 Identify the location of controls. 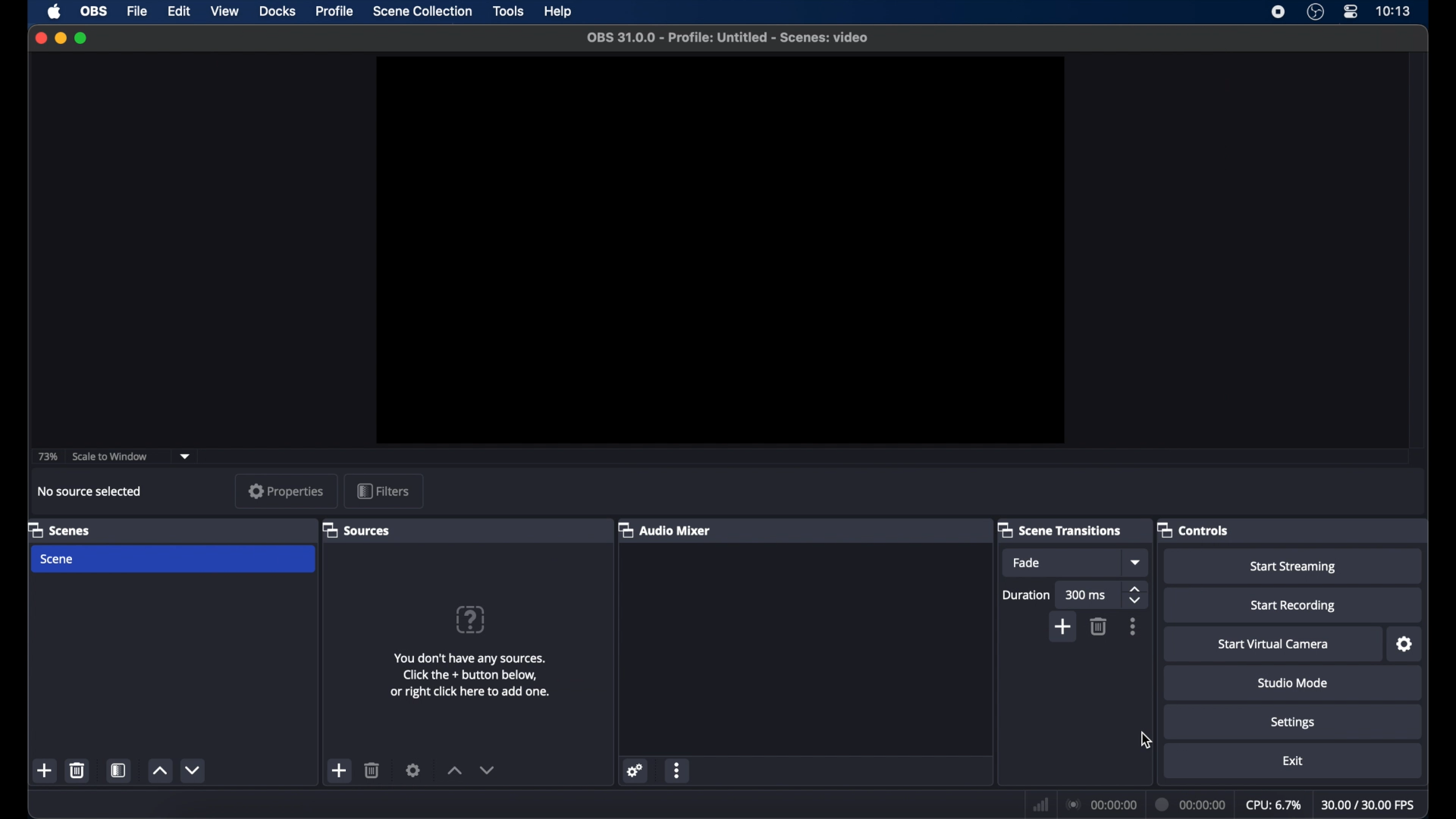
(1192, 529).